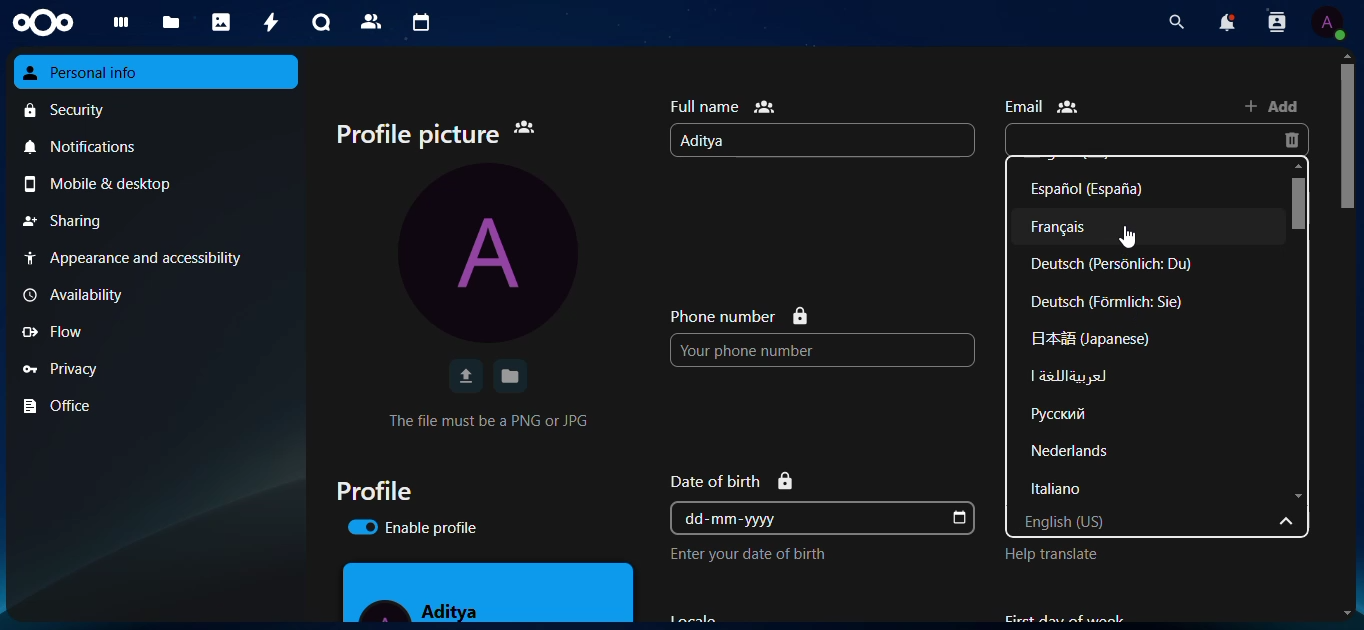 Image resolution: width=1364 pixels, height=630 pixels. Describe the element at coordinates (1346, 54) in the screenshot. I see `scroll up` at that location.